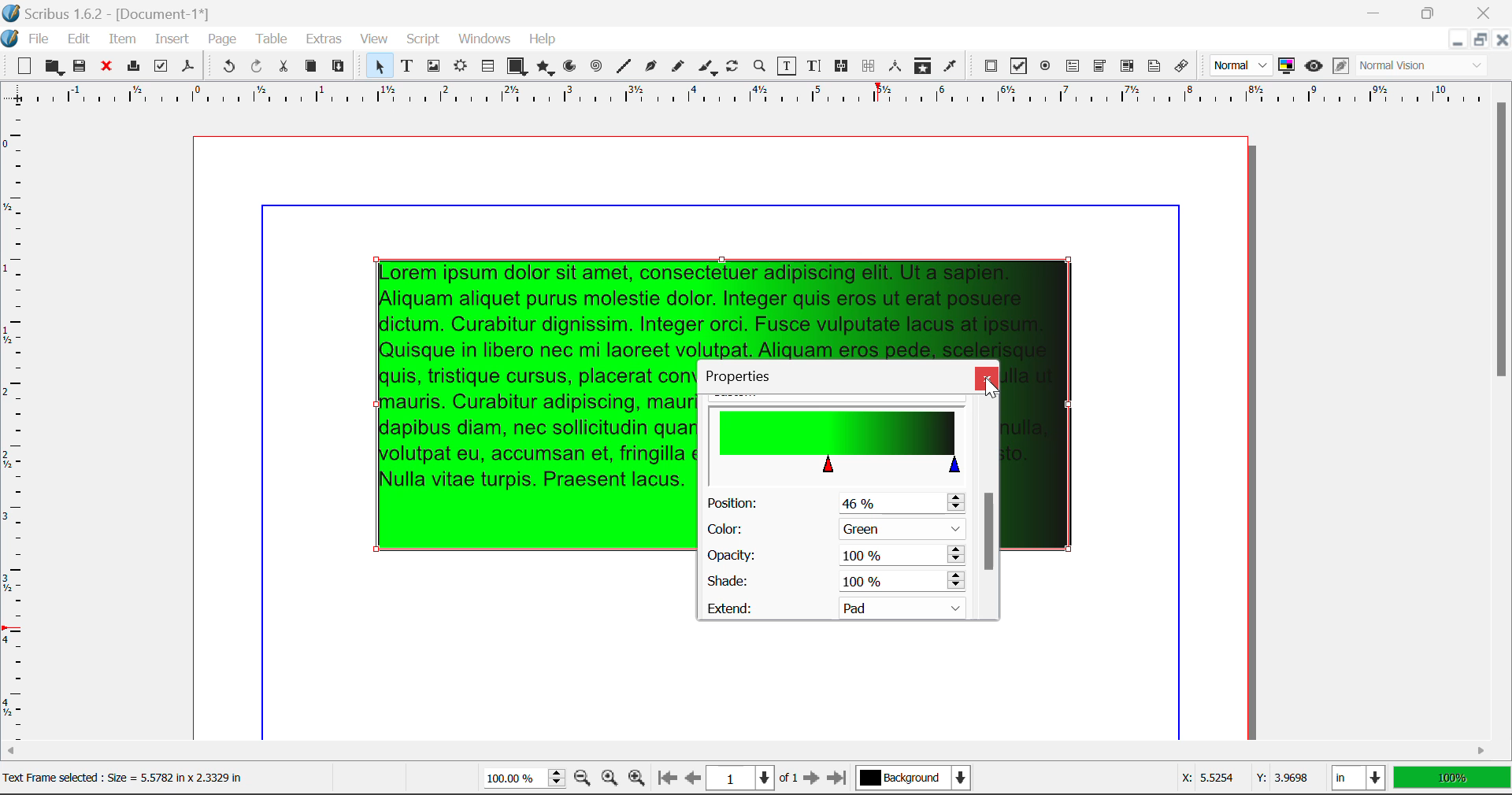 This screenshot has height=795, width=1512. What do you see at coordinates (787, 68) in the screenshot?
I see `Edit Contents of Frame` at bounding box center [787, 68].